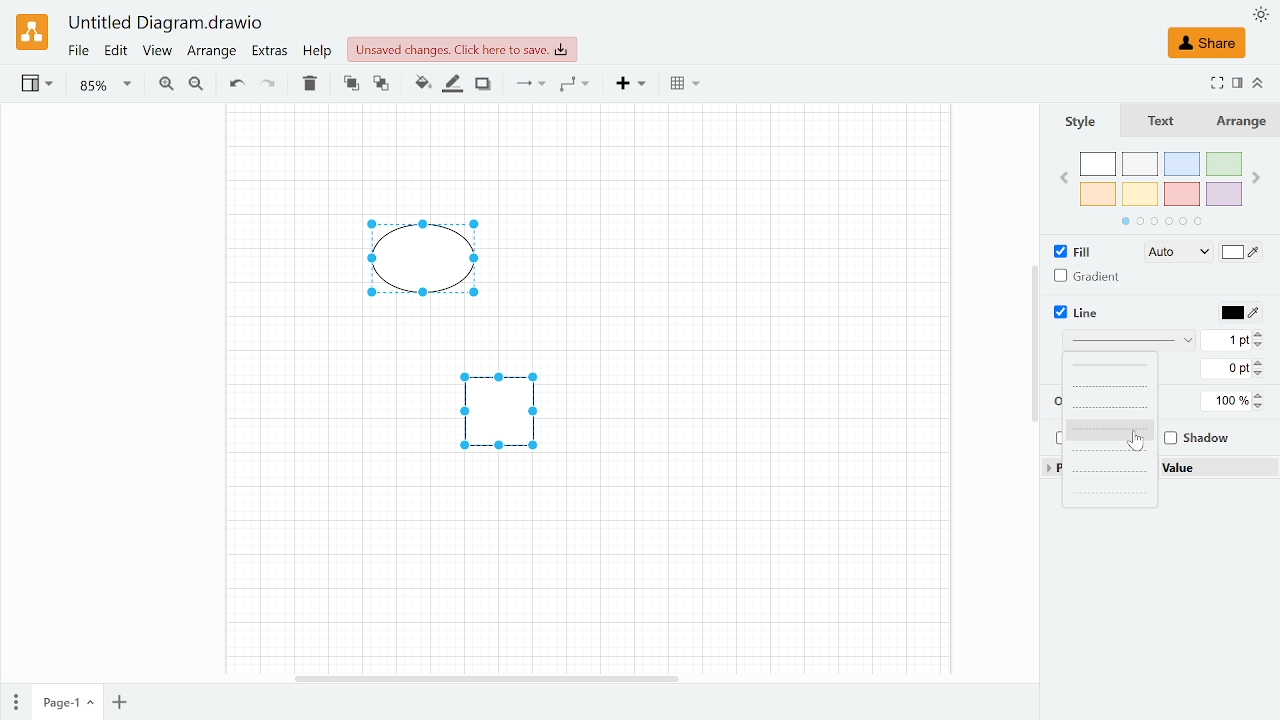 Image resolution: width=1280 pixels, height=720 pixels. Describe the element at coordinates (32, 32) in the screenshot. I see `Draw.io logo` at that location.